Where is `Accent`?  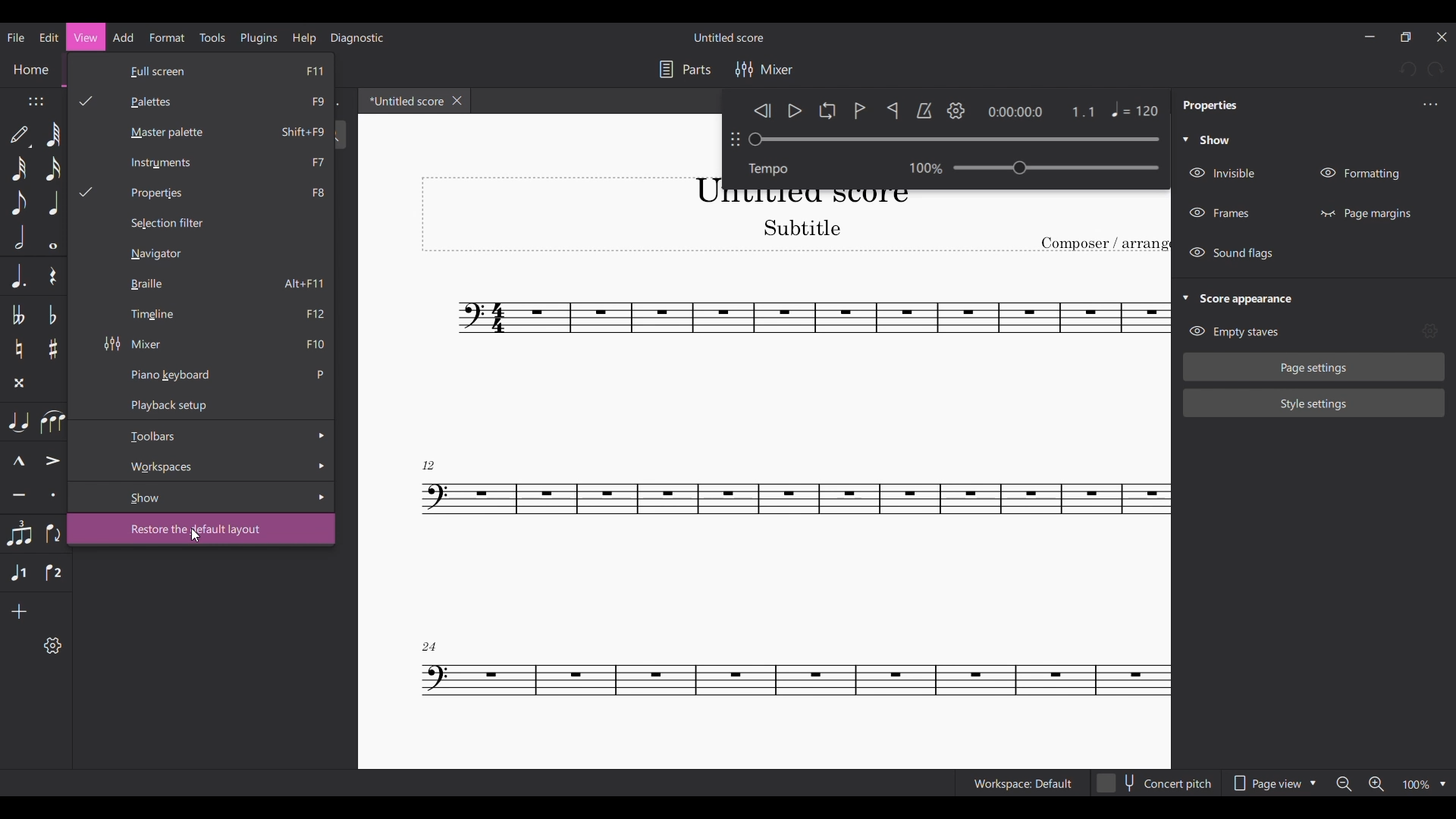 Accent is located at coordinates (53, 460).